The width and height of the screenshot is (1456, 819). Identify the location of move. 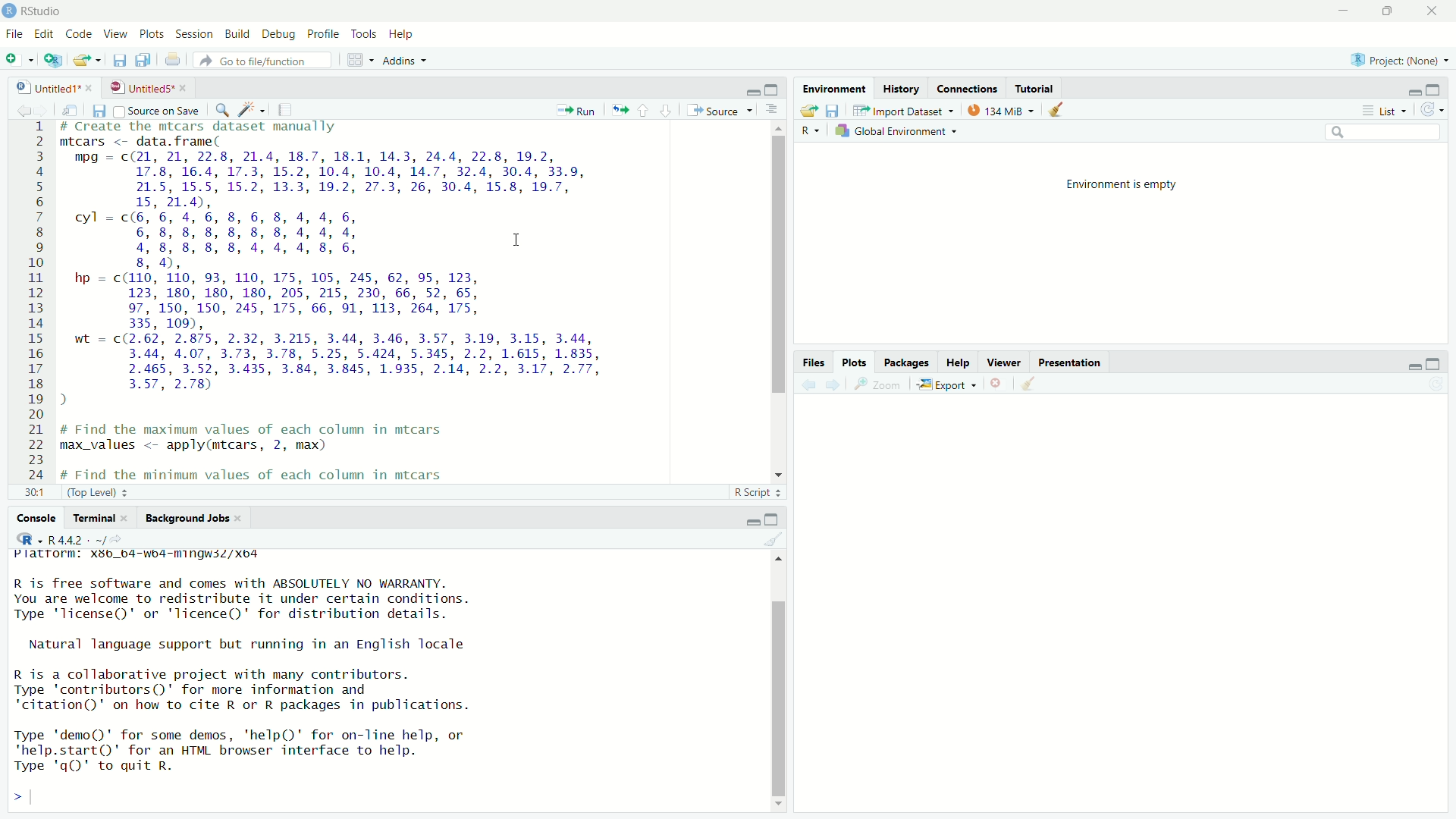
(807, 112).